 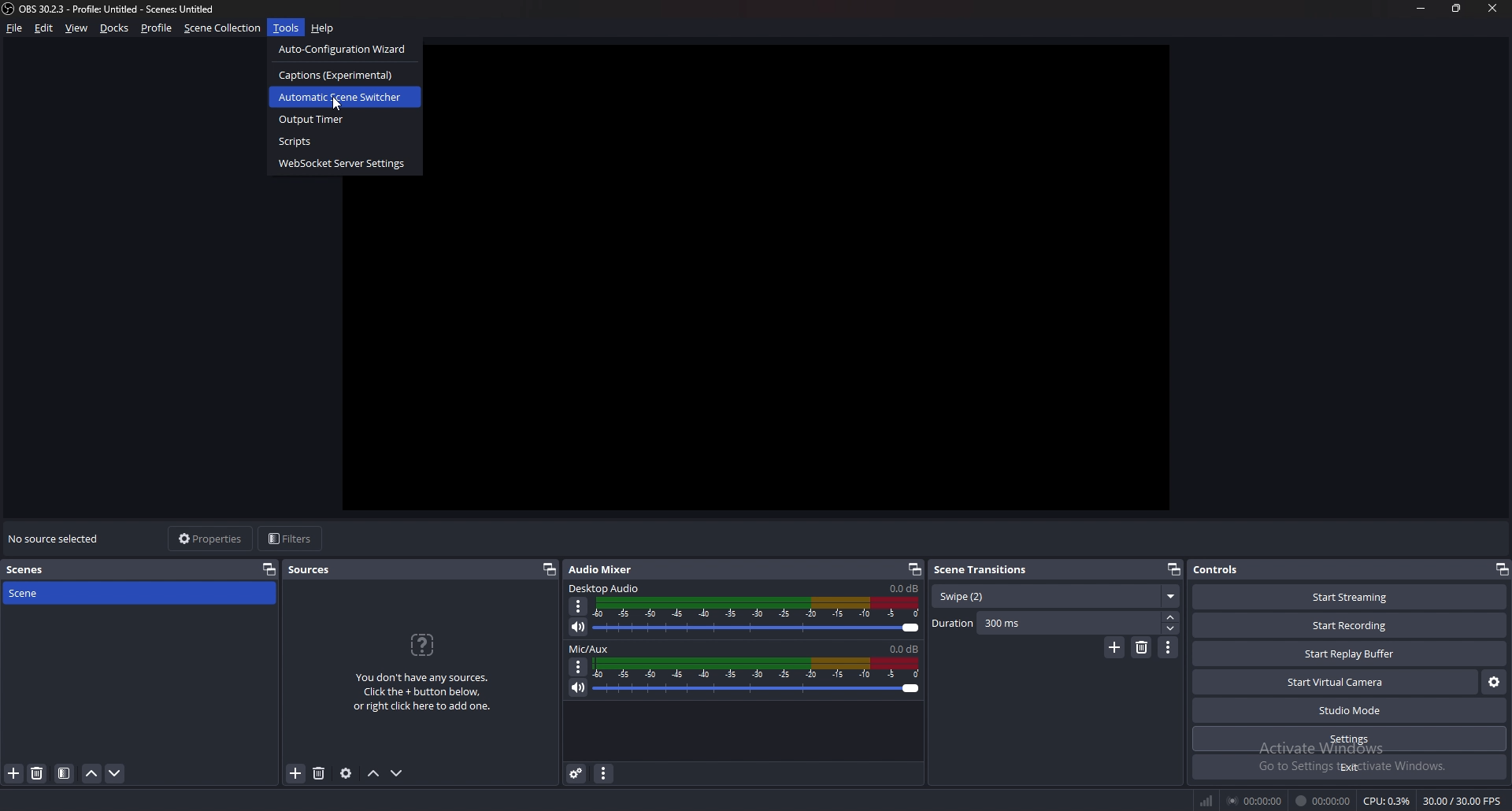 What do you see at coordinates (914, 569) in the screenshot?
I see `pop out` at bounding box center [914, 569].